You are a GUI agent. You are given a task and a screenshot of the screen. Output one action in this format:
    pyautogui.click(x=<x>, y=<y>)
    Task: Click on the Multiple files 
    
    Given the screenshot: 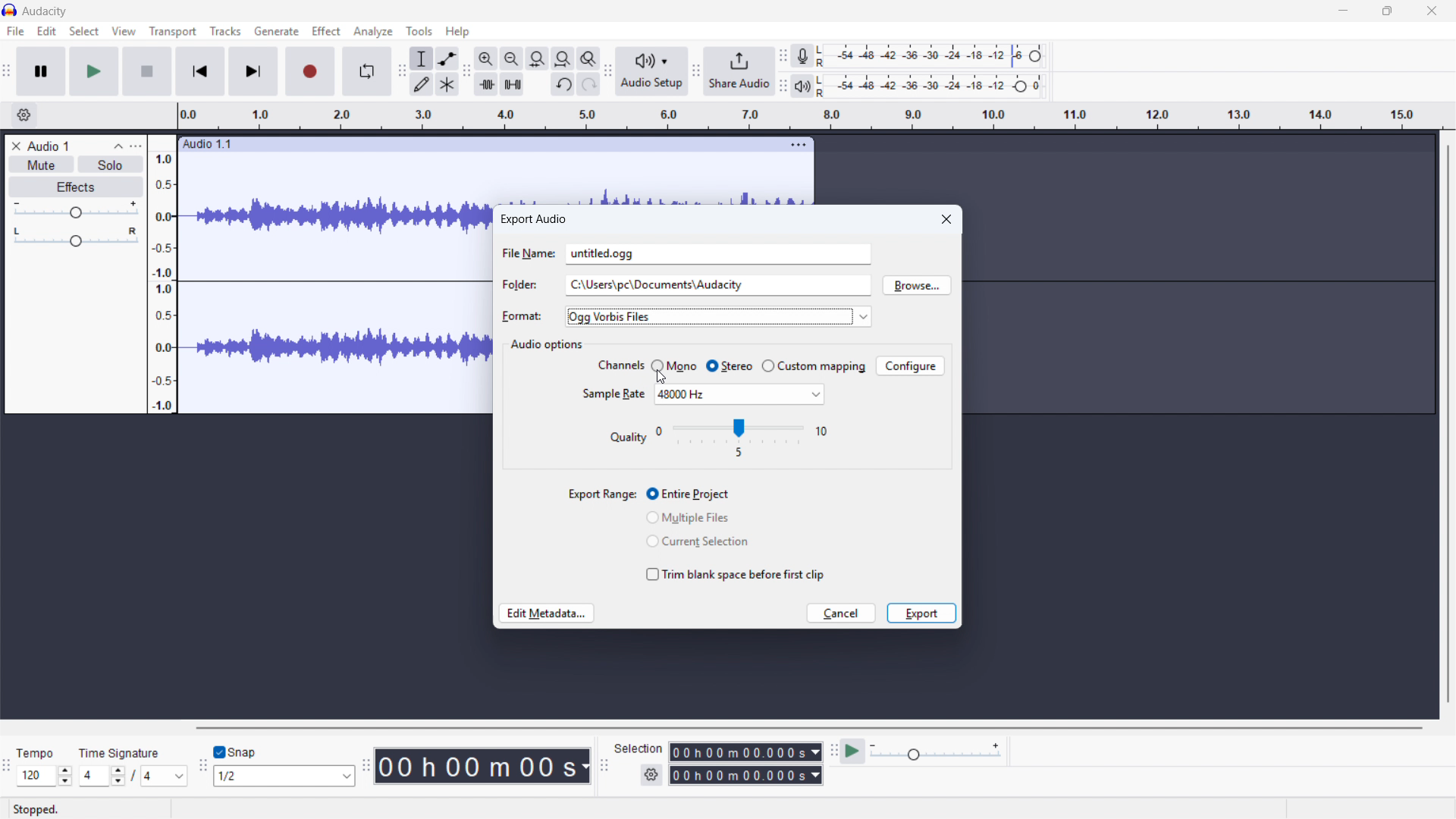 What is the action you would take?
    pyautogui.click(x=690, y=517)
    